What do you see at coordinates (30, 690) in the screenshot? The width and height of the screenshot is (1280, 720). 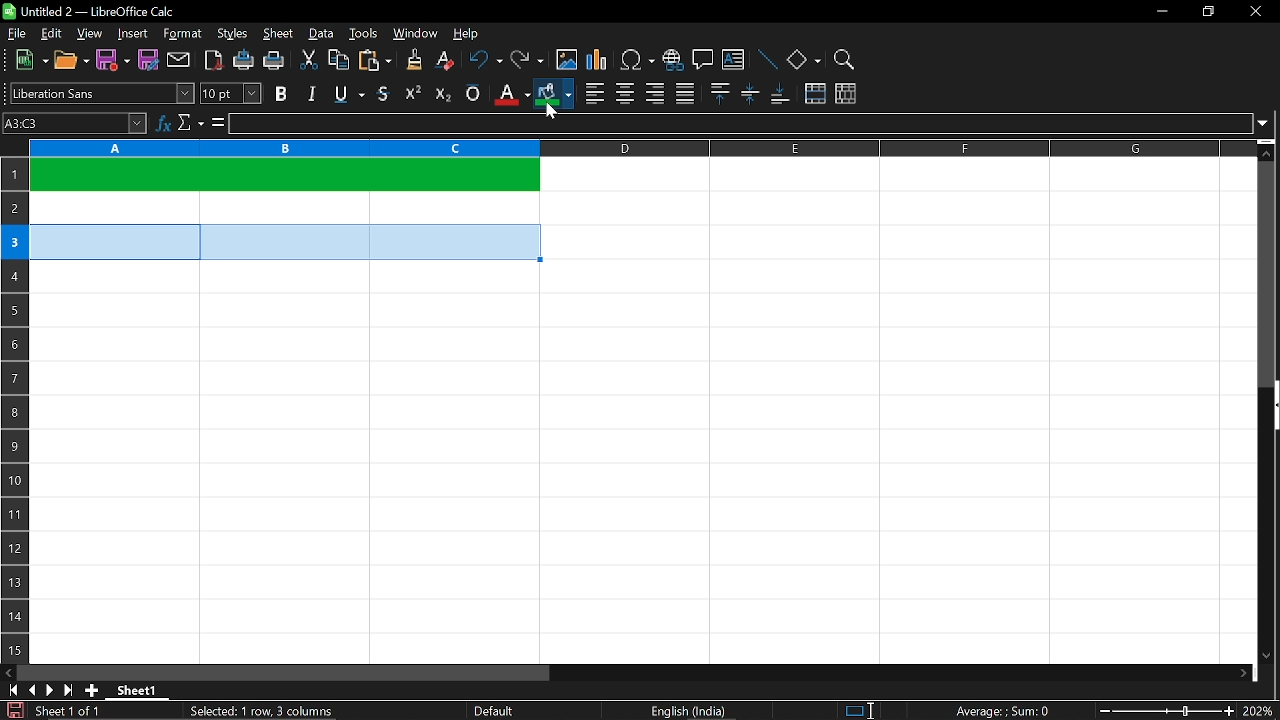 I see `previous sheet` at bounding box center [30, 690].